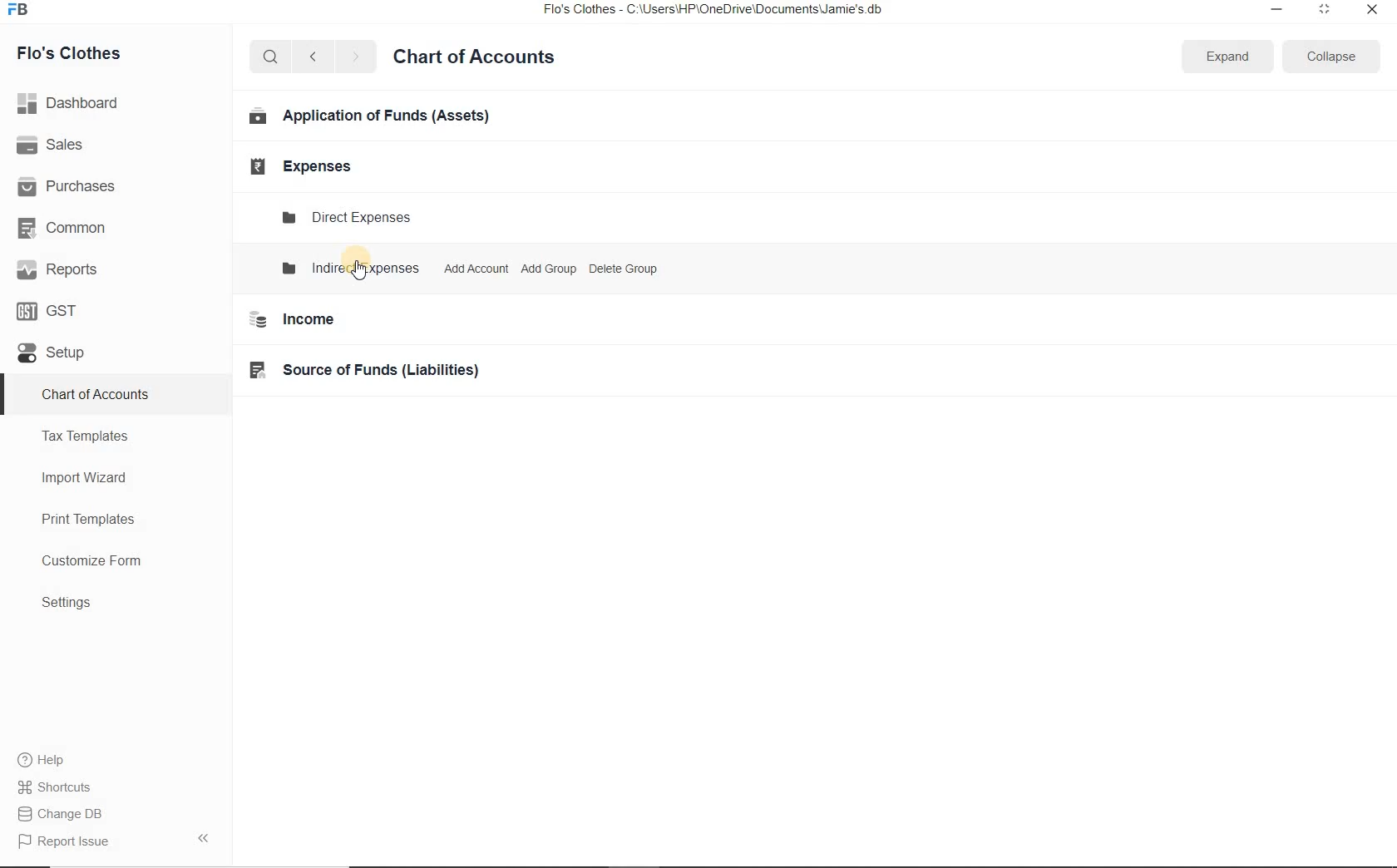 Image resolution: width=1397 pixels, height=868 pixels. I want to click on  Help, so click(51, 760).